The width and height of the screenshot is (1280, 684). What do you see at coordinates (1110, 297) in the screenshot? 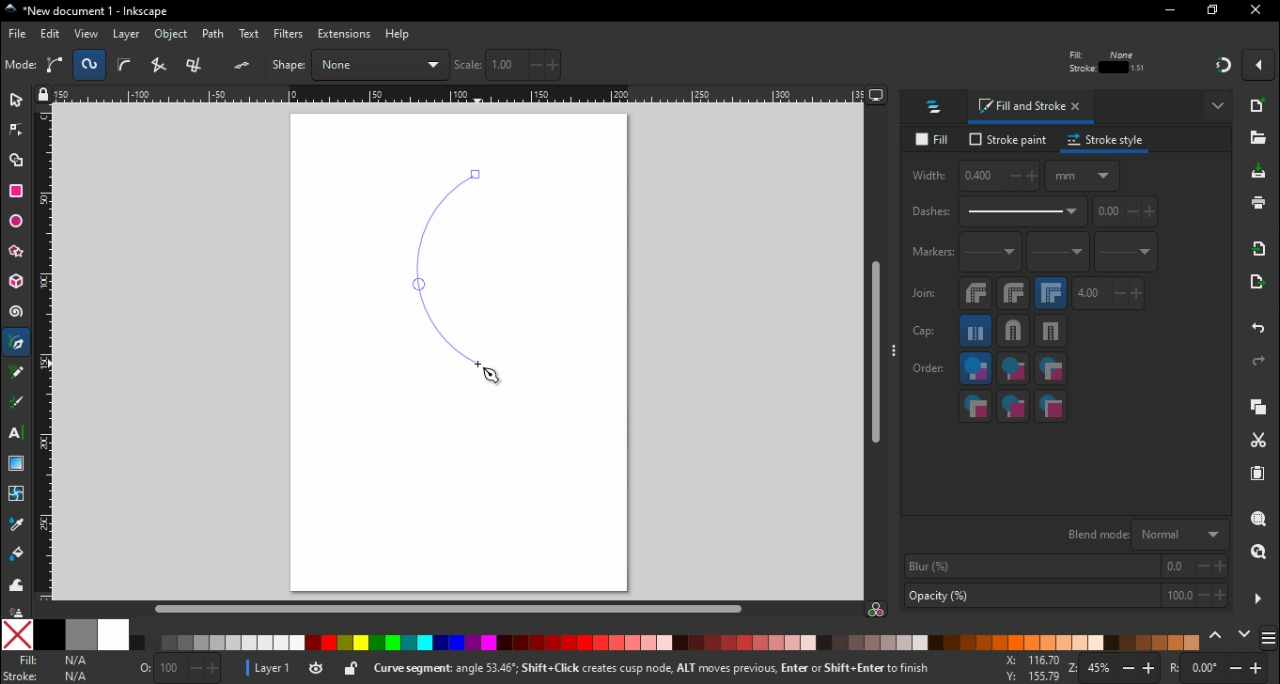
I see `max length of miter` at bounding box center [1110, 297].